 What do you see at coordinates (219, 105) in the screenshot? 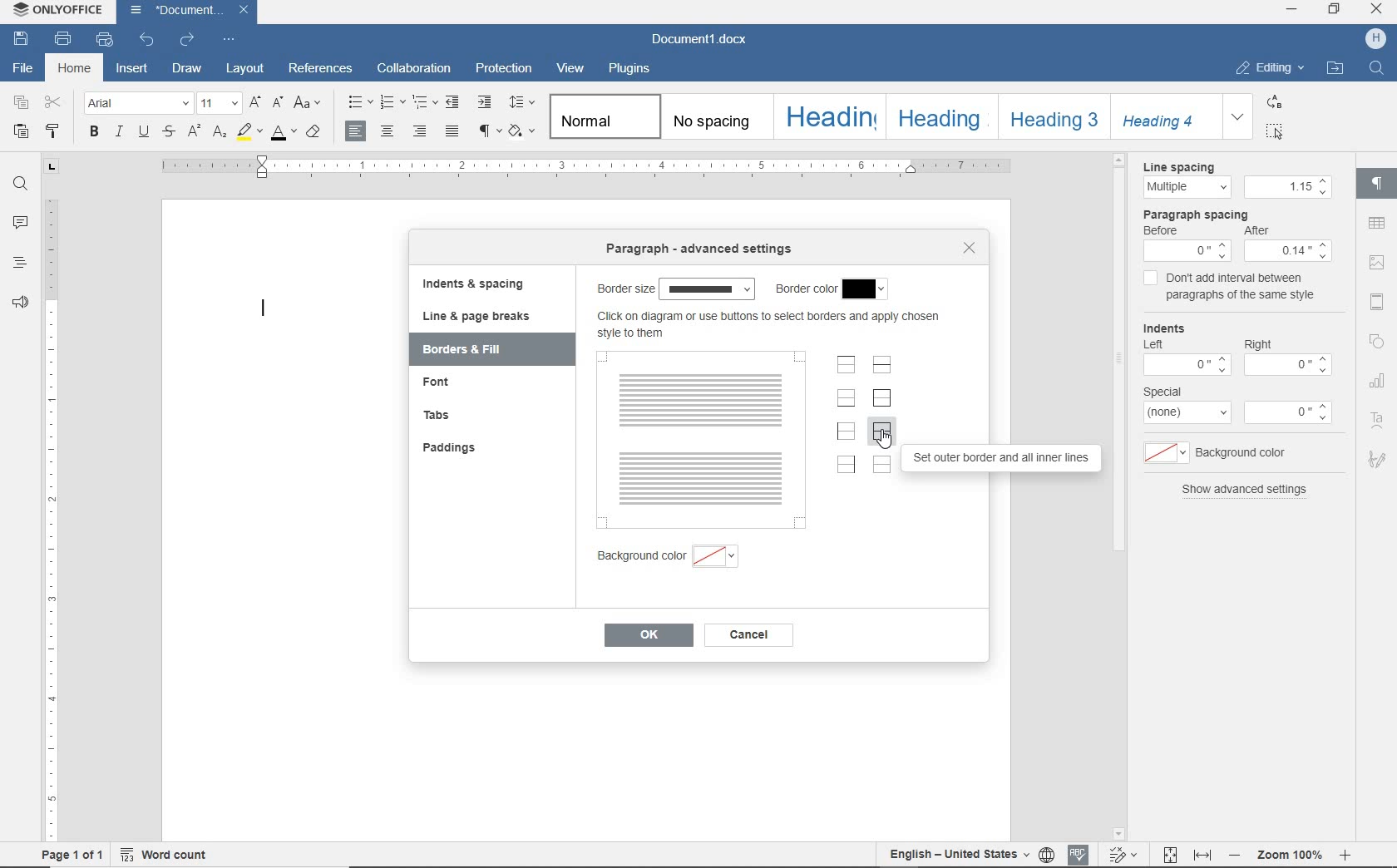
I see `font size` at bounding box center [219, 105].